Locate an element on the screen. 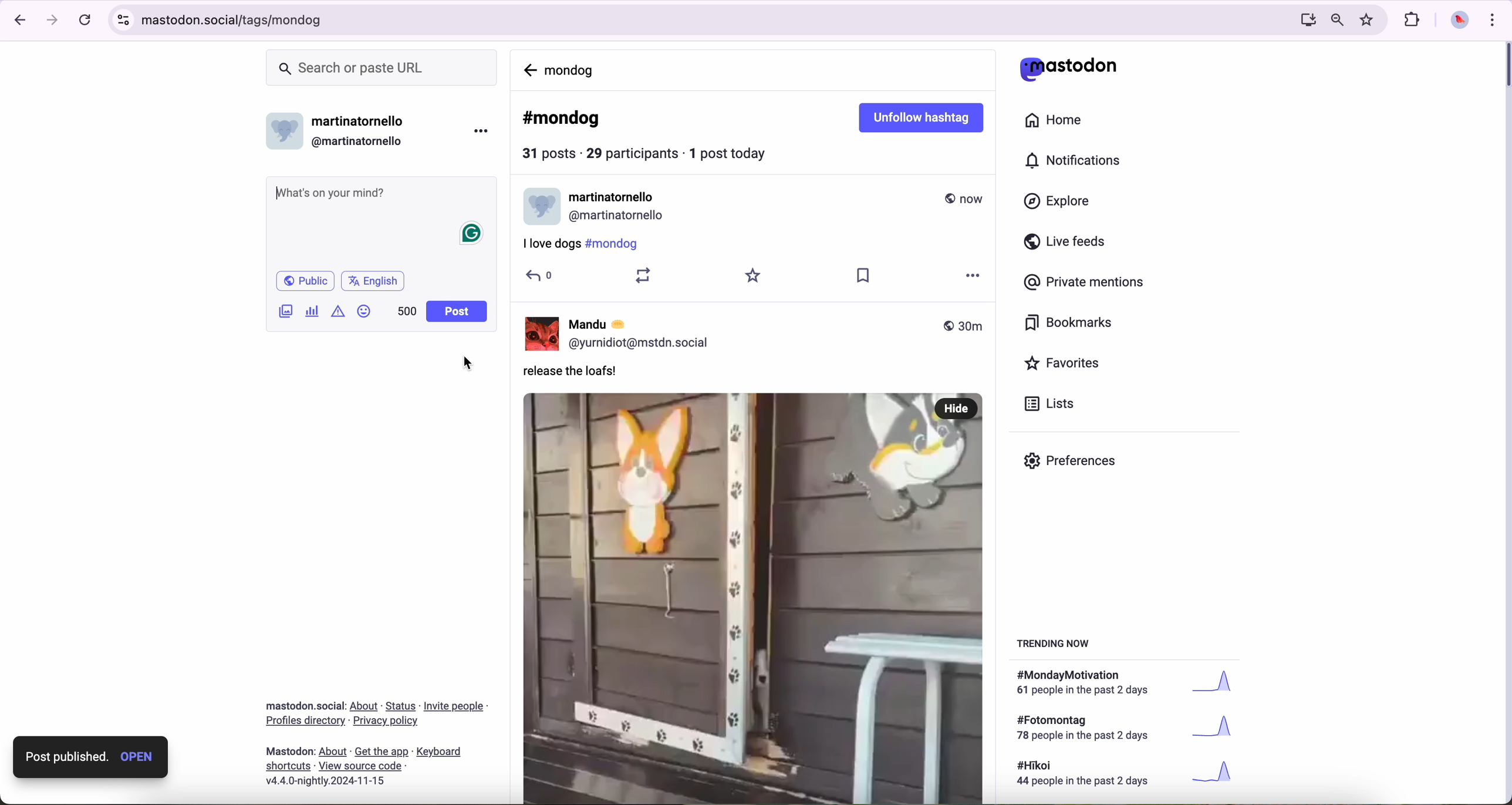  500 is located at coordinates (406, 311).